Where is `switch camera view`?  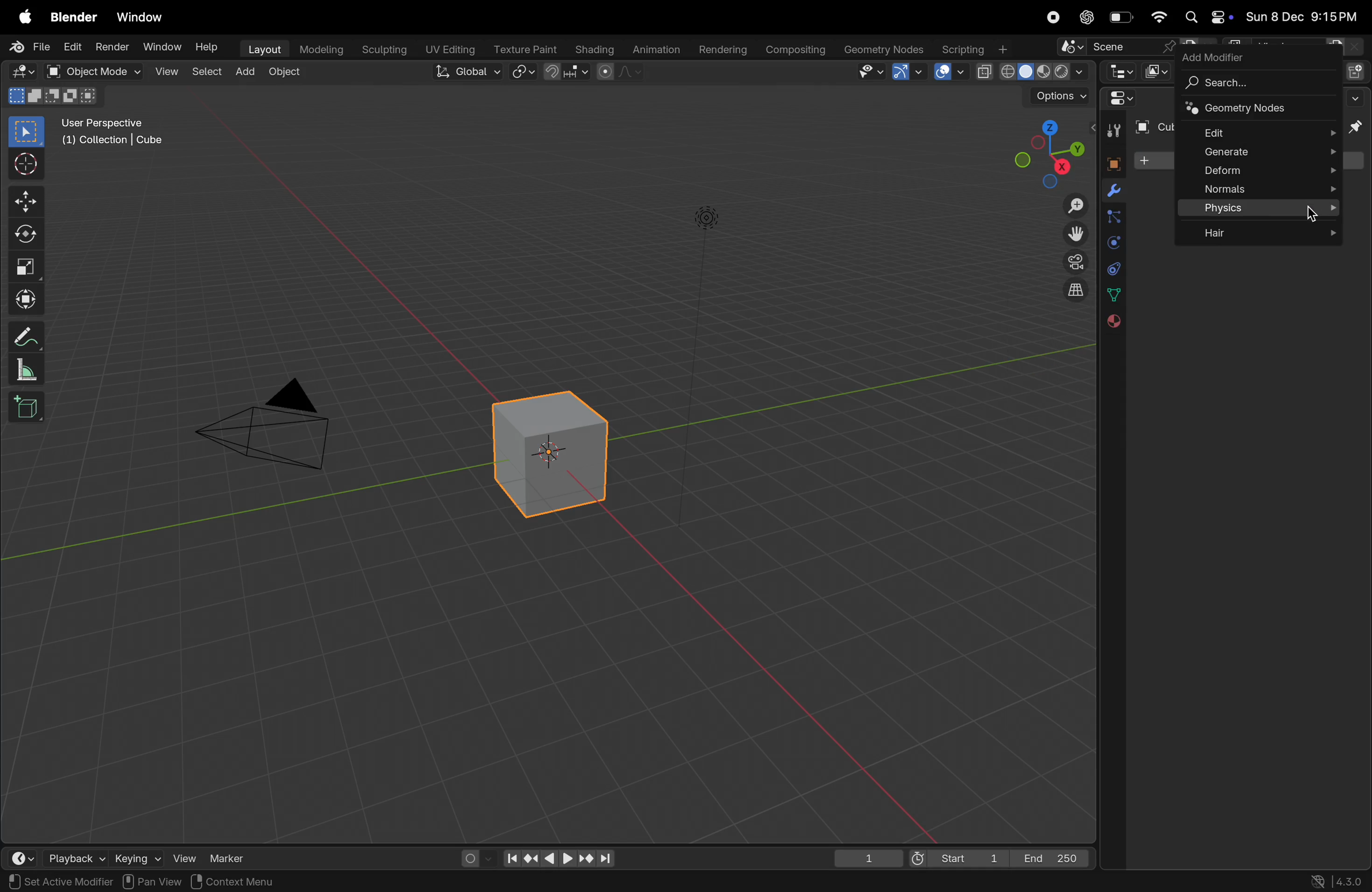
switch camera view is located at coordinates (1071, 261).